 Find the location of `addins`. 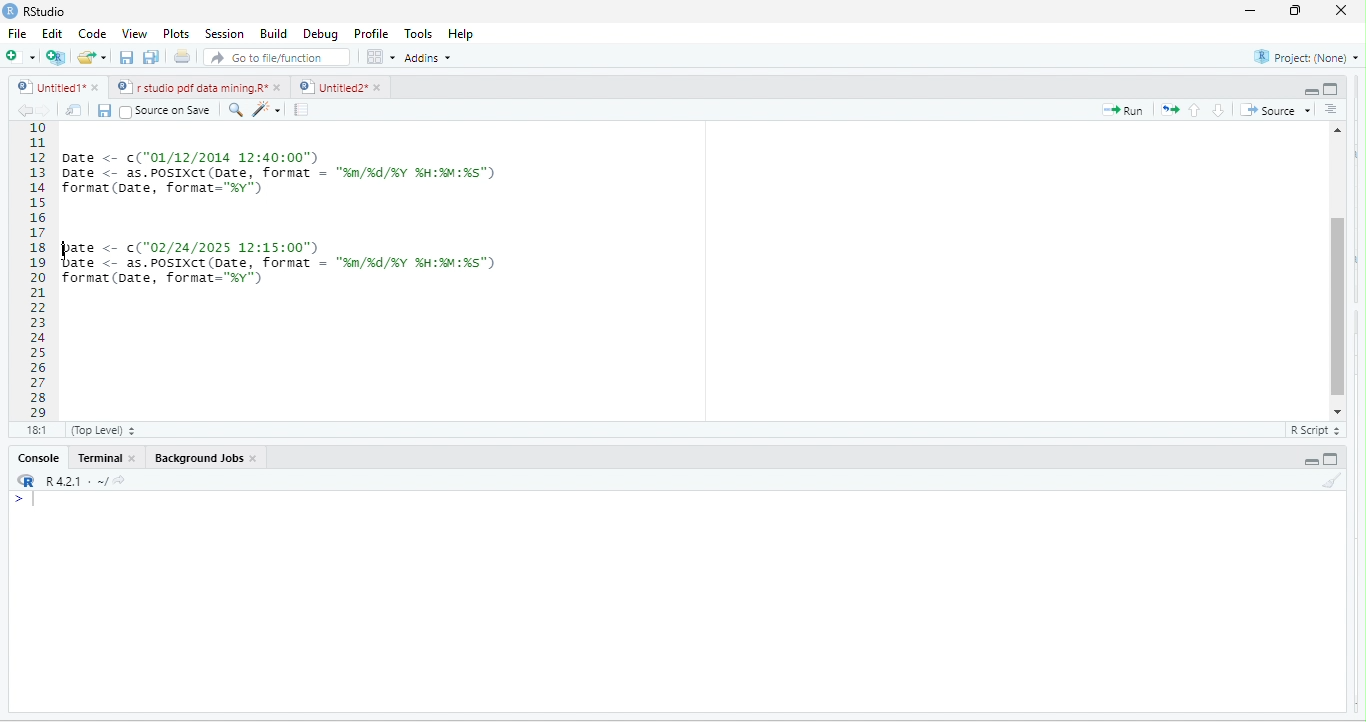

addins is located at coordinates (427, 58).